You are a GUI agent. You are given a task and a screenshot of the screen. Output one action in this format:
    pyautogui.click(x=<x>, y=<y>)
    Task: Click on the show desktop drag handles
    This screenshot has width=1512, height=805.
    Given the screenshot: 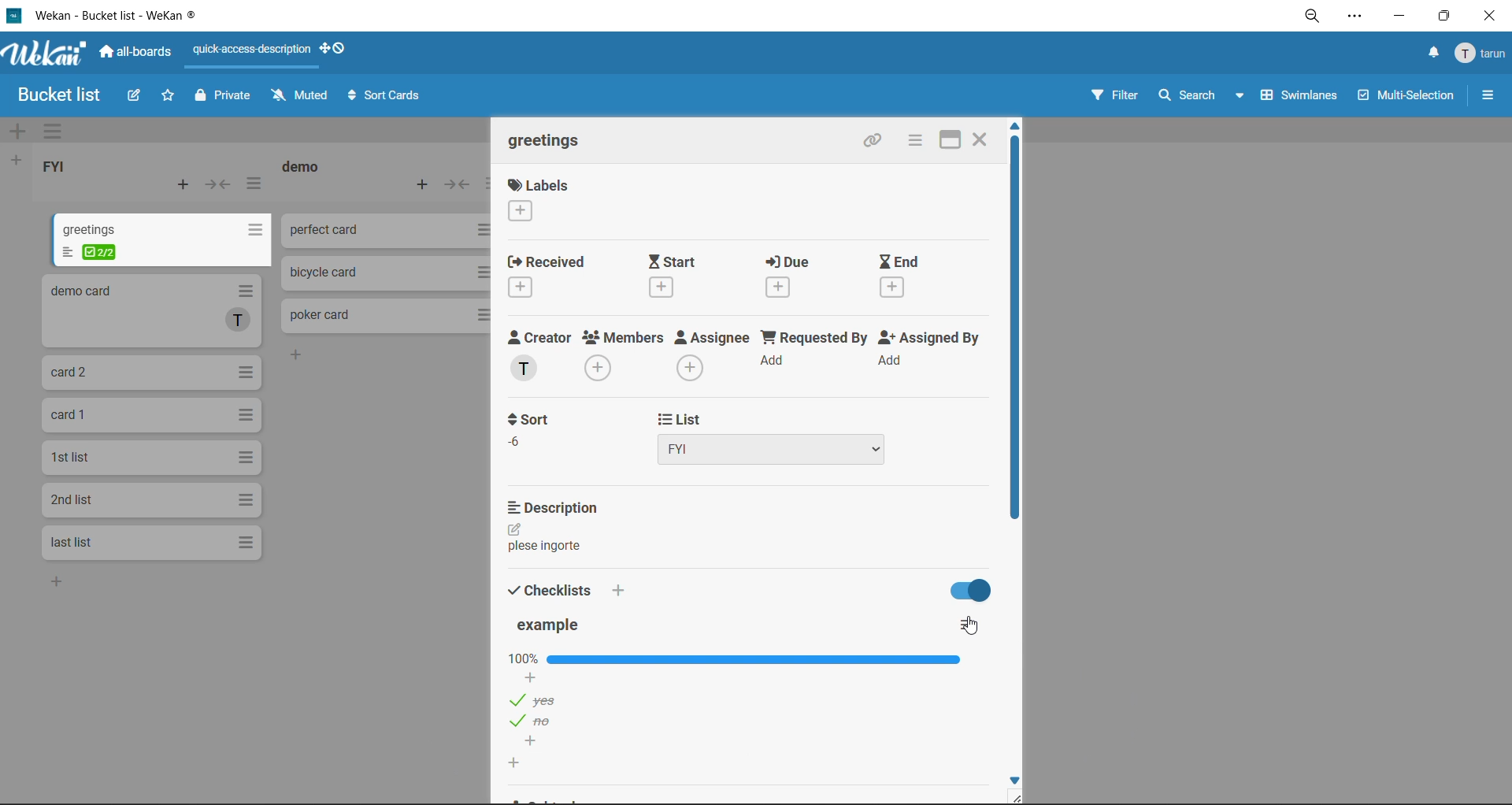 What is the action you would take?
    pyautogui.click(x=338, y=46)
    